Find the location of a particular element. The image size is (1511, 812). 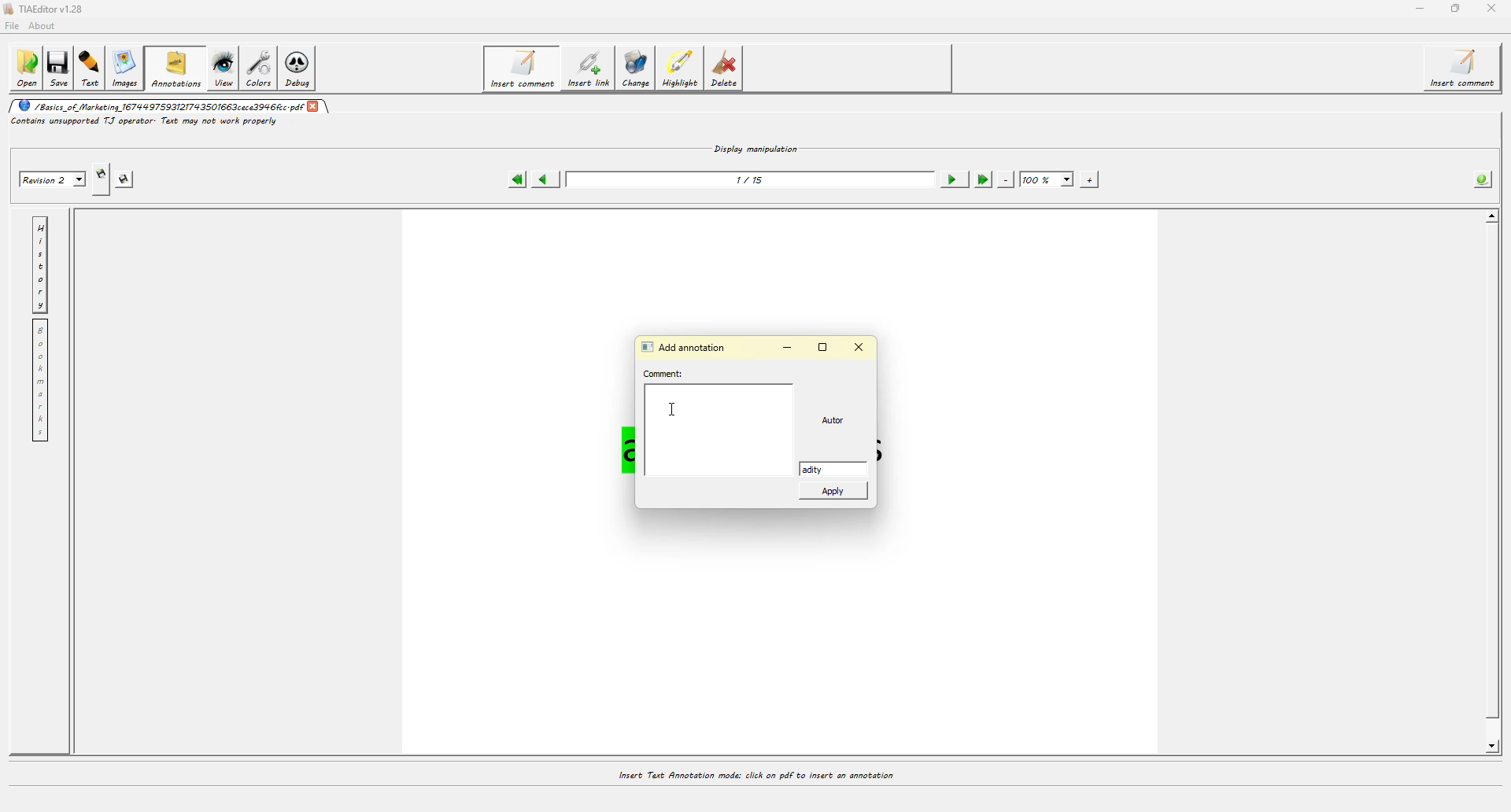

insert comment is located at coordinates (520, 68).